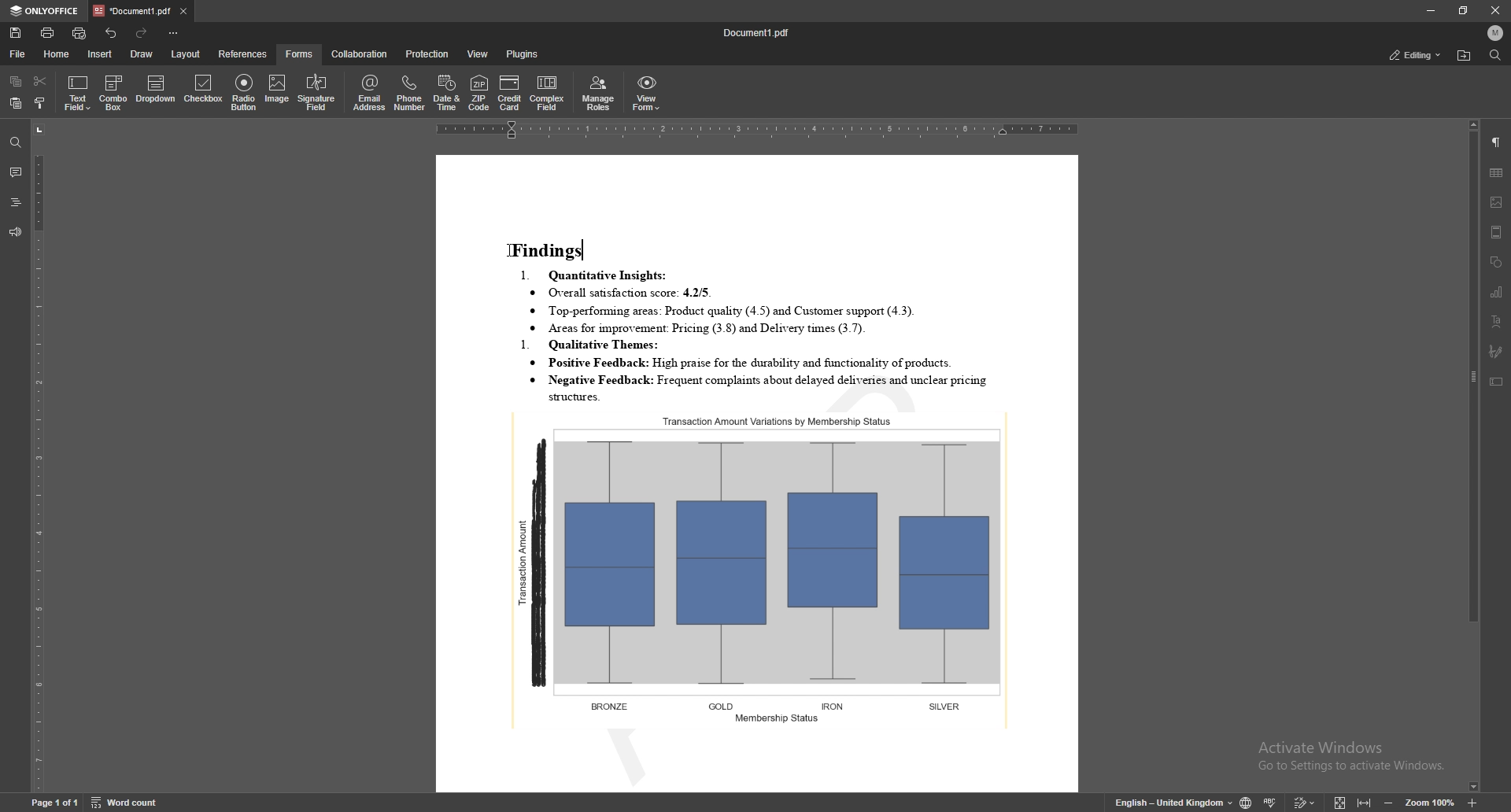 Image resolution: width=1511 pixels, height=812 pixels. What do you see at coordinates (522, 54) in the screenshot?
I see `plugins` at bounding box center [522, 54].